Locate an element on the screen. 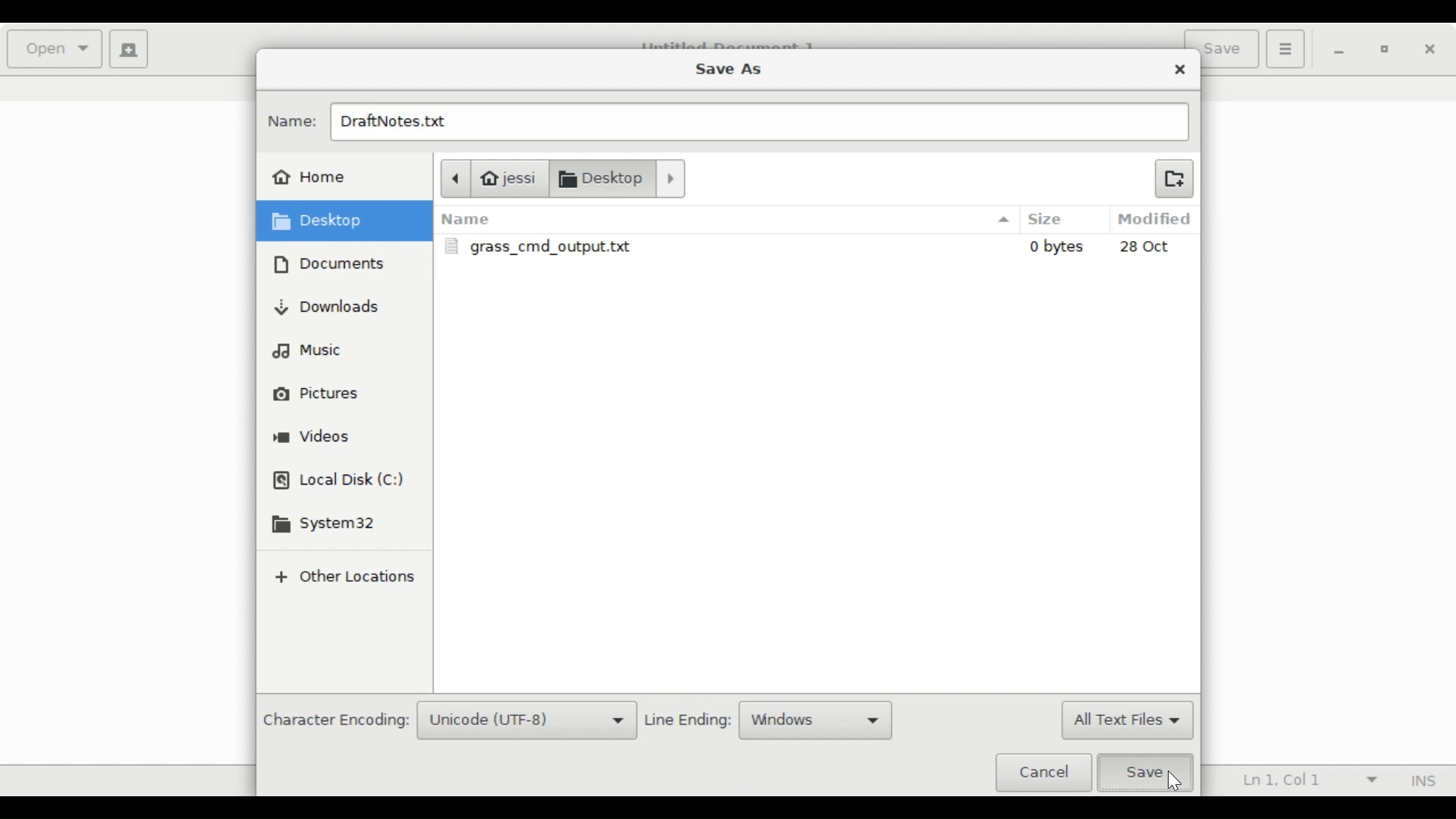 The image size is (1456, 819). Windows is located at coordinates (818, 719).